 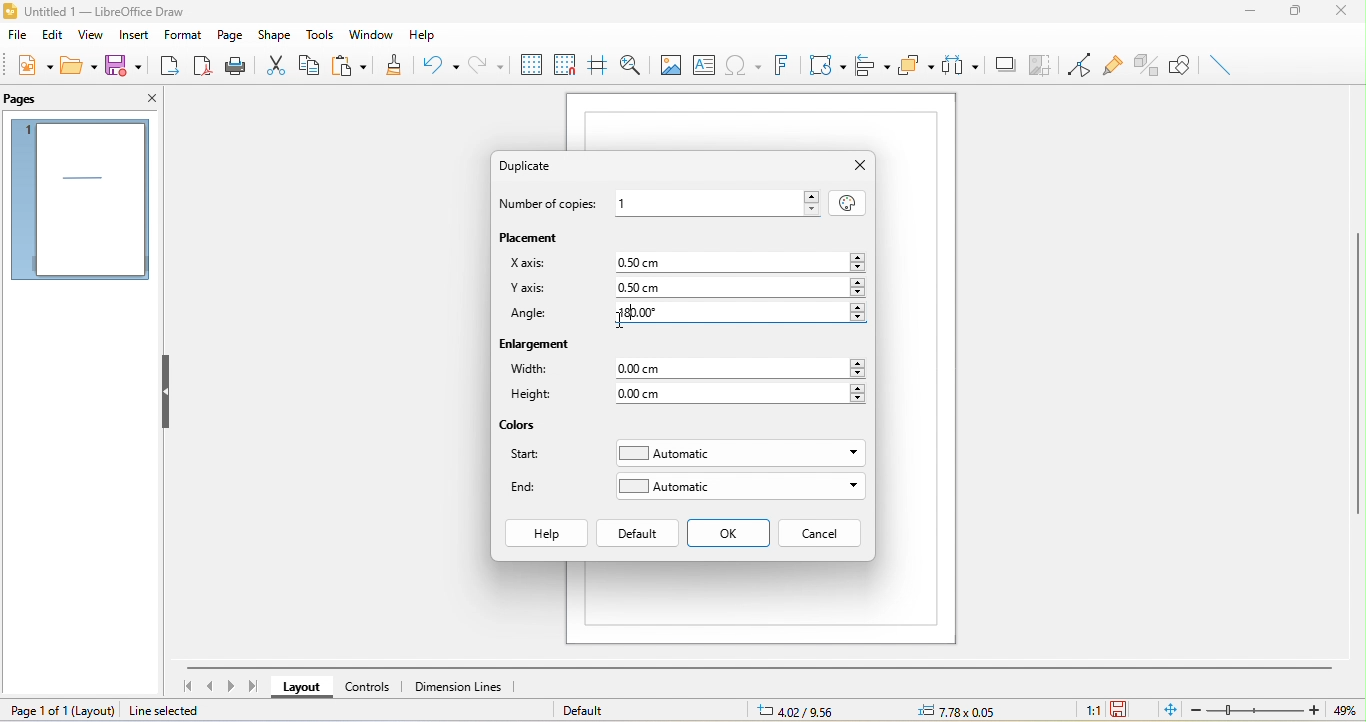 What do you see at coordinates (53, 35) in the screenshot?
I see `edit` at bounding box center [53, 35].